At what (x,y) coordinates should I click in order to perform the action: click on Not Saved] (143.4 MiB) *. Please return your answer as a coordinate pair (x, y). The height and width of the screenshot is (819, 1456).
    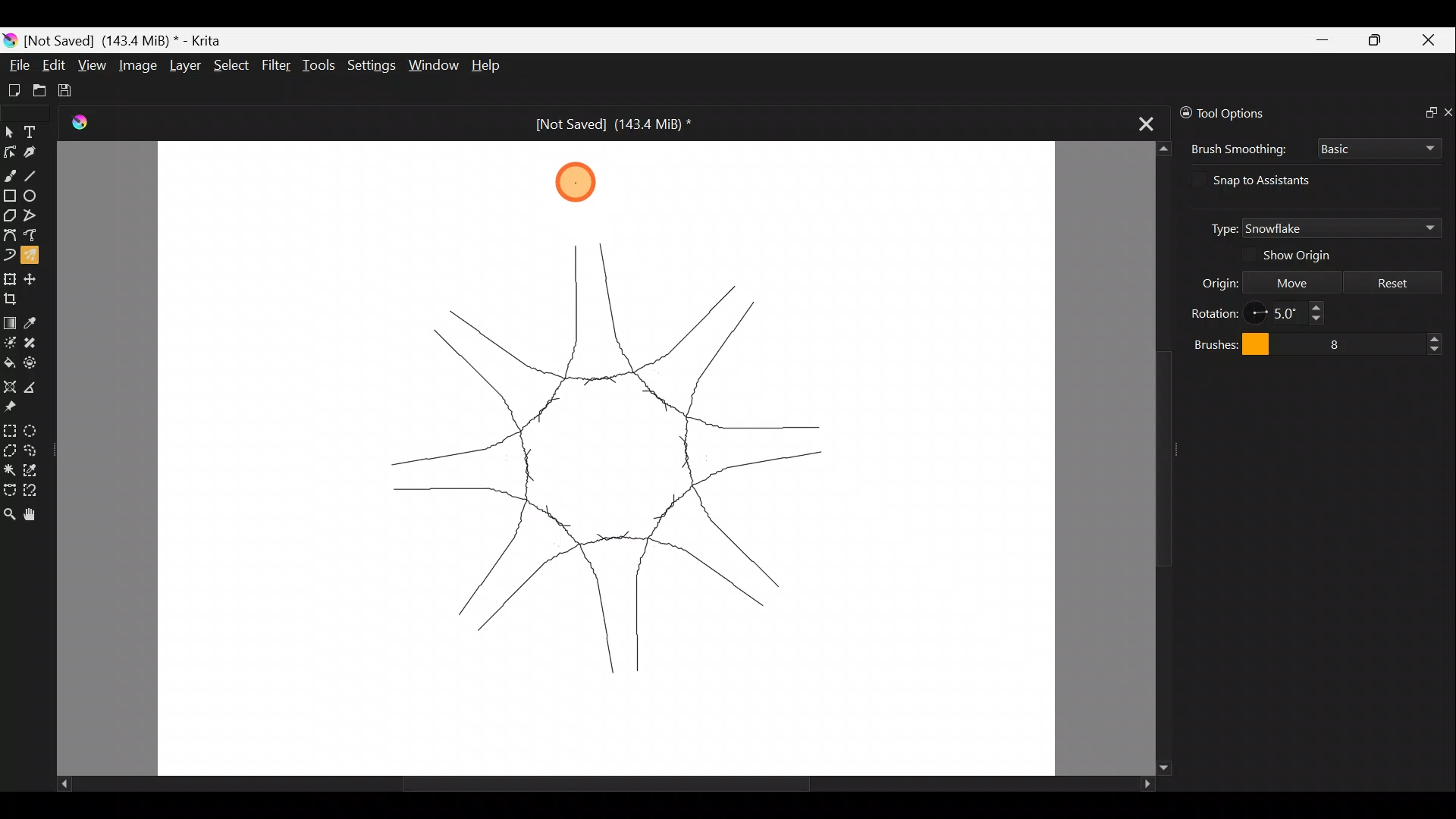
    Looking at the image, I should click on (601, 124).